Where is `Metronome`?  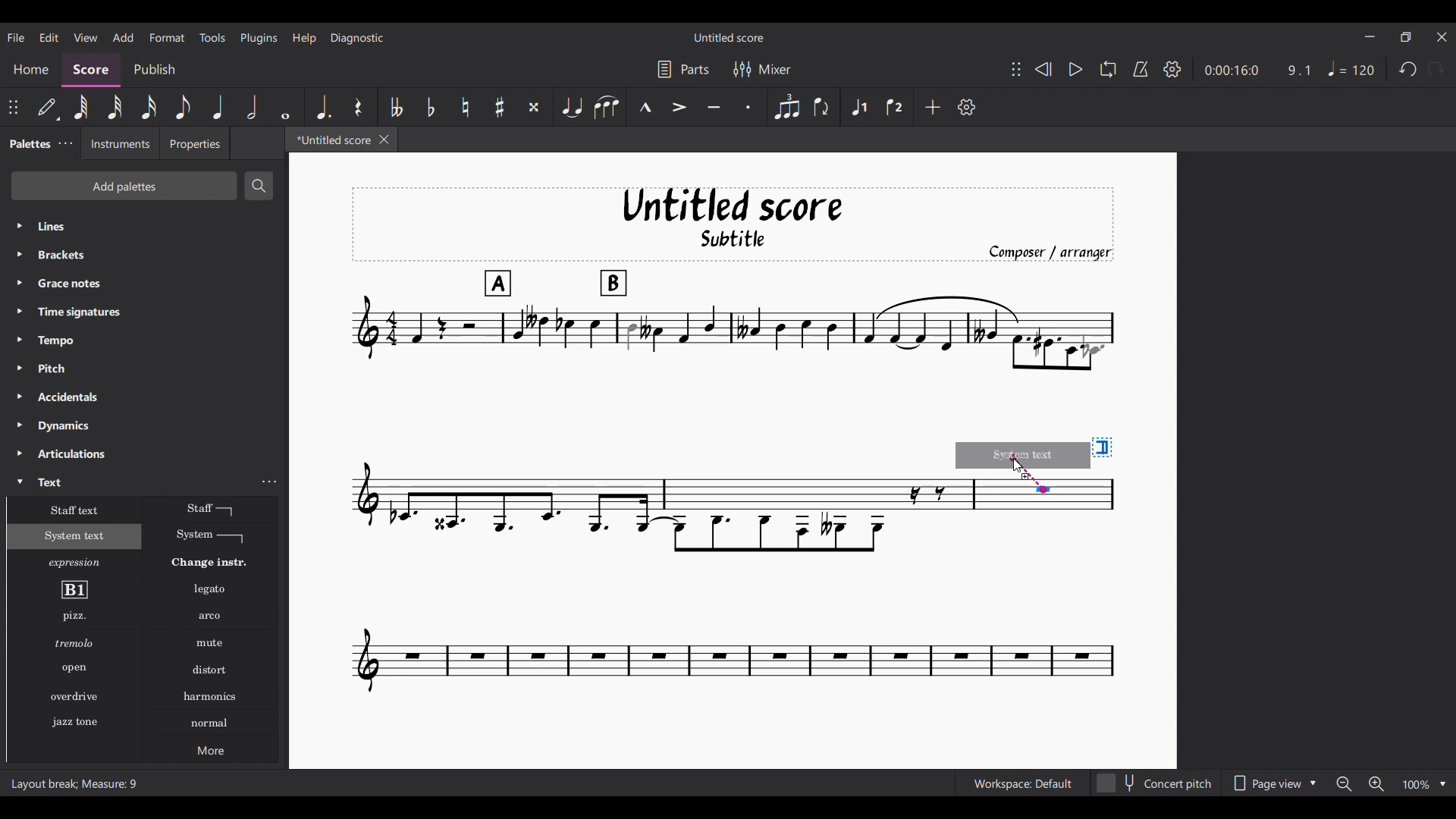
Metronome is located at coordinates (1141, 69).